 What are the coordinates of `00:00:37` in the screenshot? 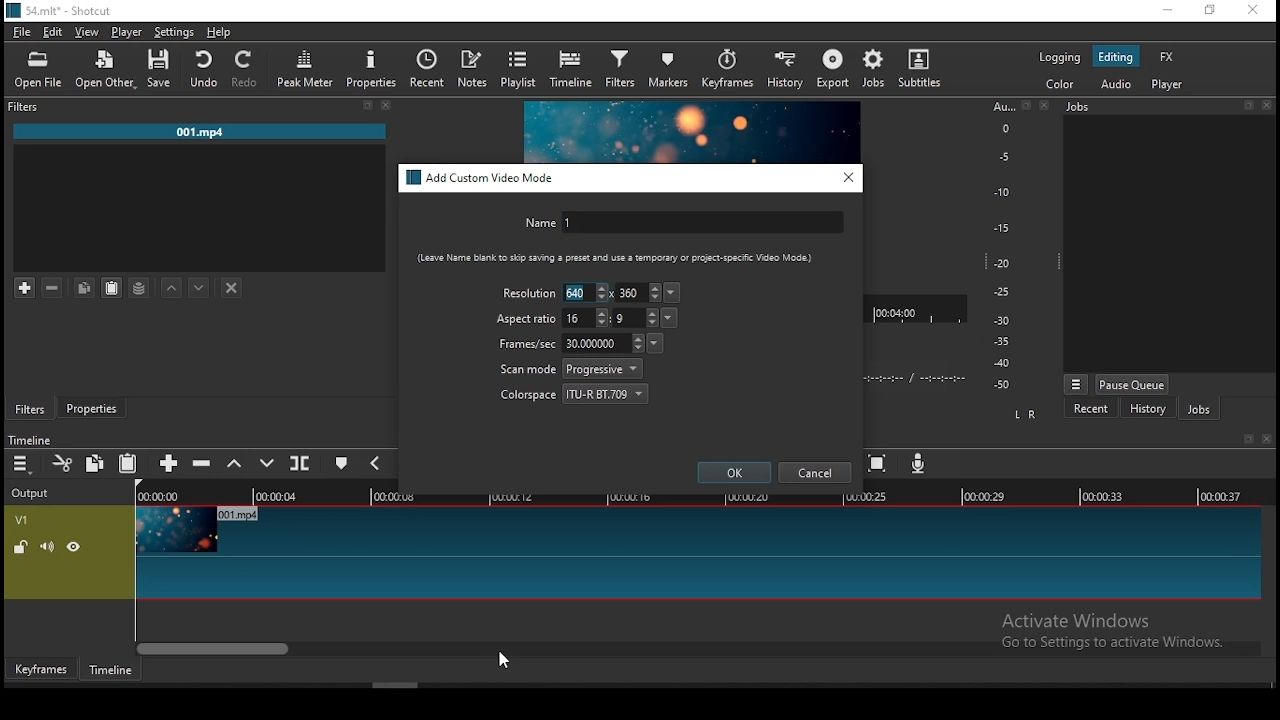 It's located at (1224, 496).